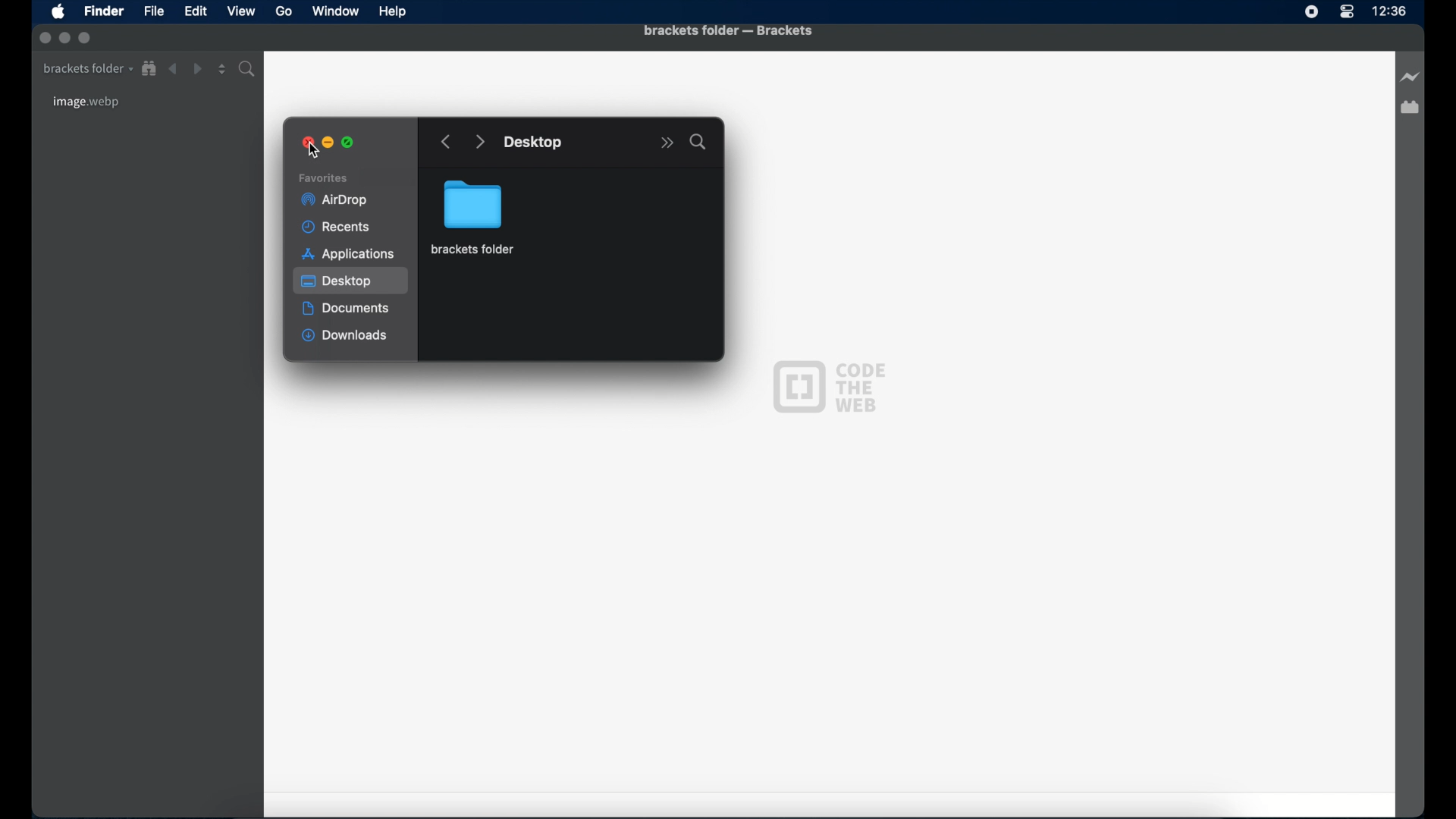  What do you see at coordinates (86, 39) in the screenshot?
I see `inactive maximize button` at bounding box center [86, 39].